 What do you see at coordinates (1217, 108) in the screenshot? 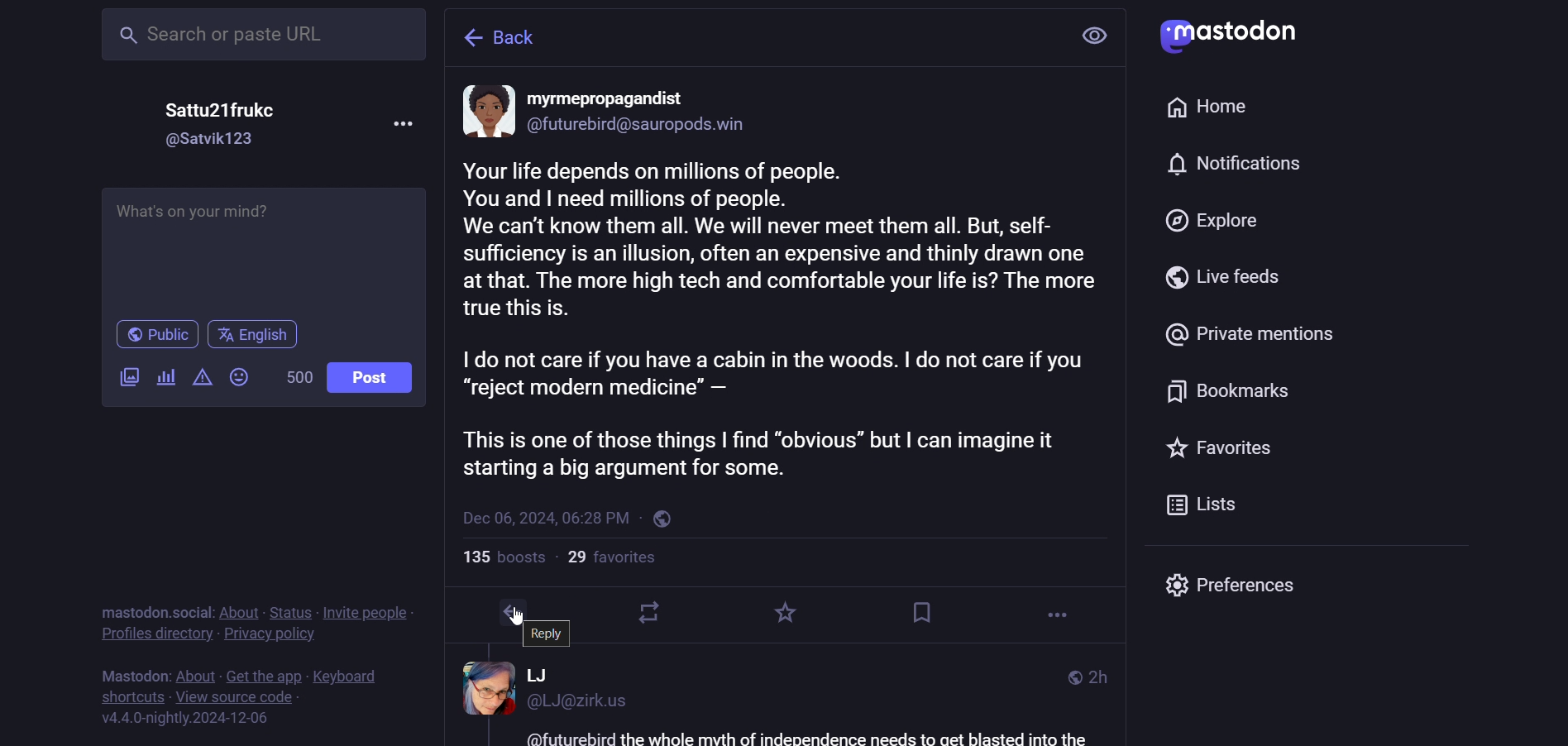
I see `home` at bounding box center [1217, 108].